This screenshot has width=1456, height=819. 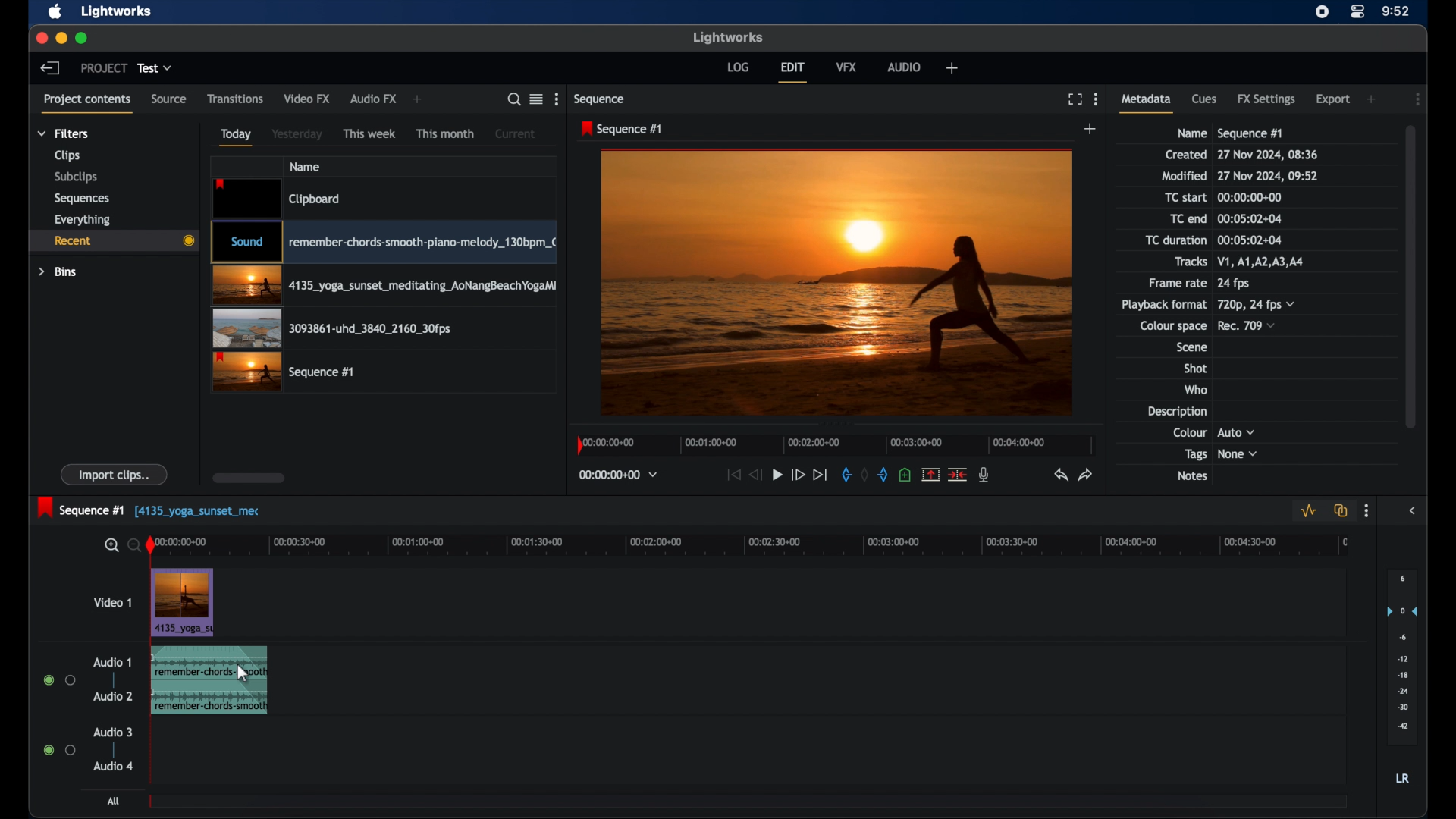 What do you see at coordinates (1269, 176) in the screenshot?
I see `modified` at bounding box center [1269, 176].